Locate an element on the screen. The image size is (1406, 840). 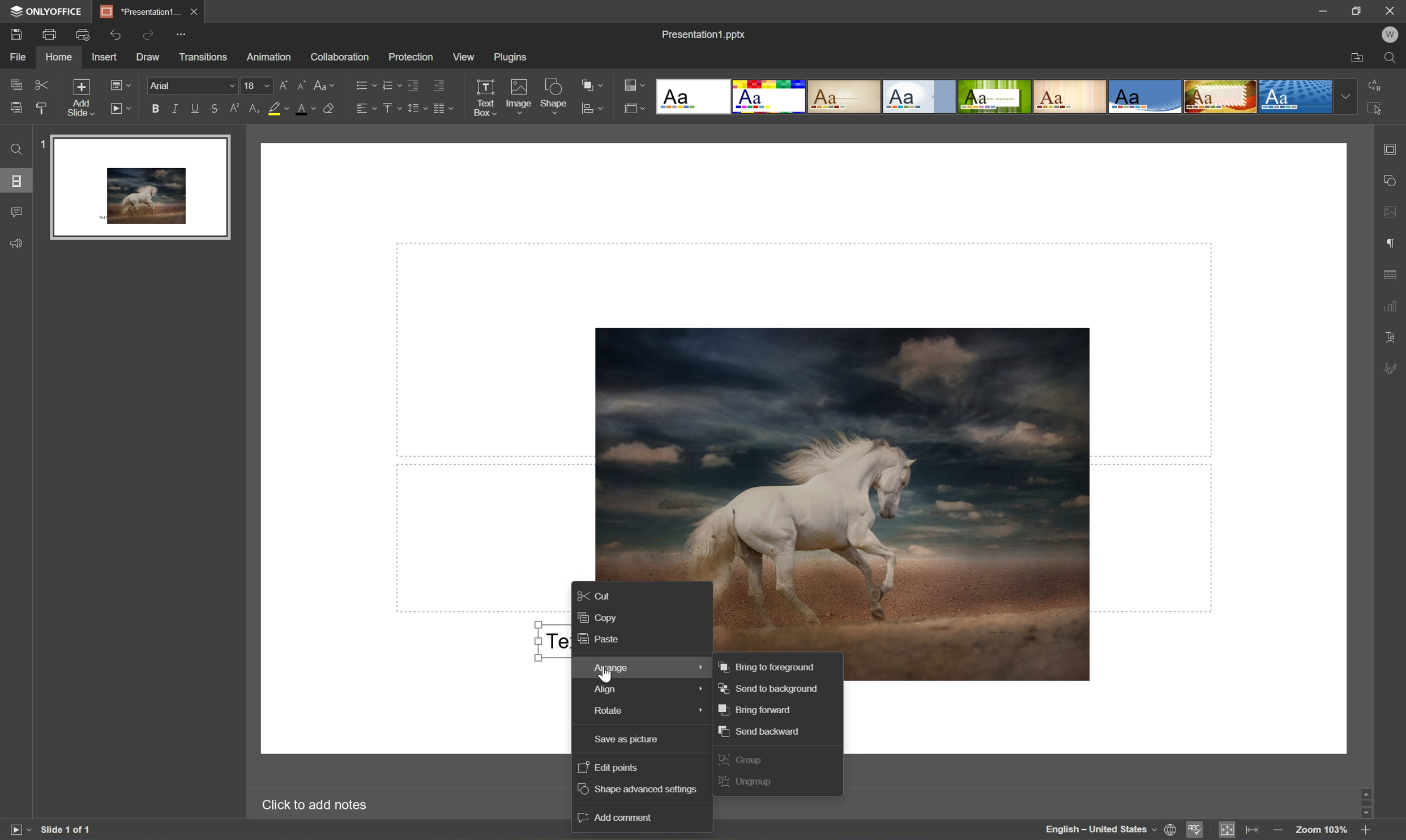
Drop Down is located at coordinates (1348, 96).